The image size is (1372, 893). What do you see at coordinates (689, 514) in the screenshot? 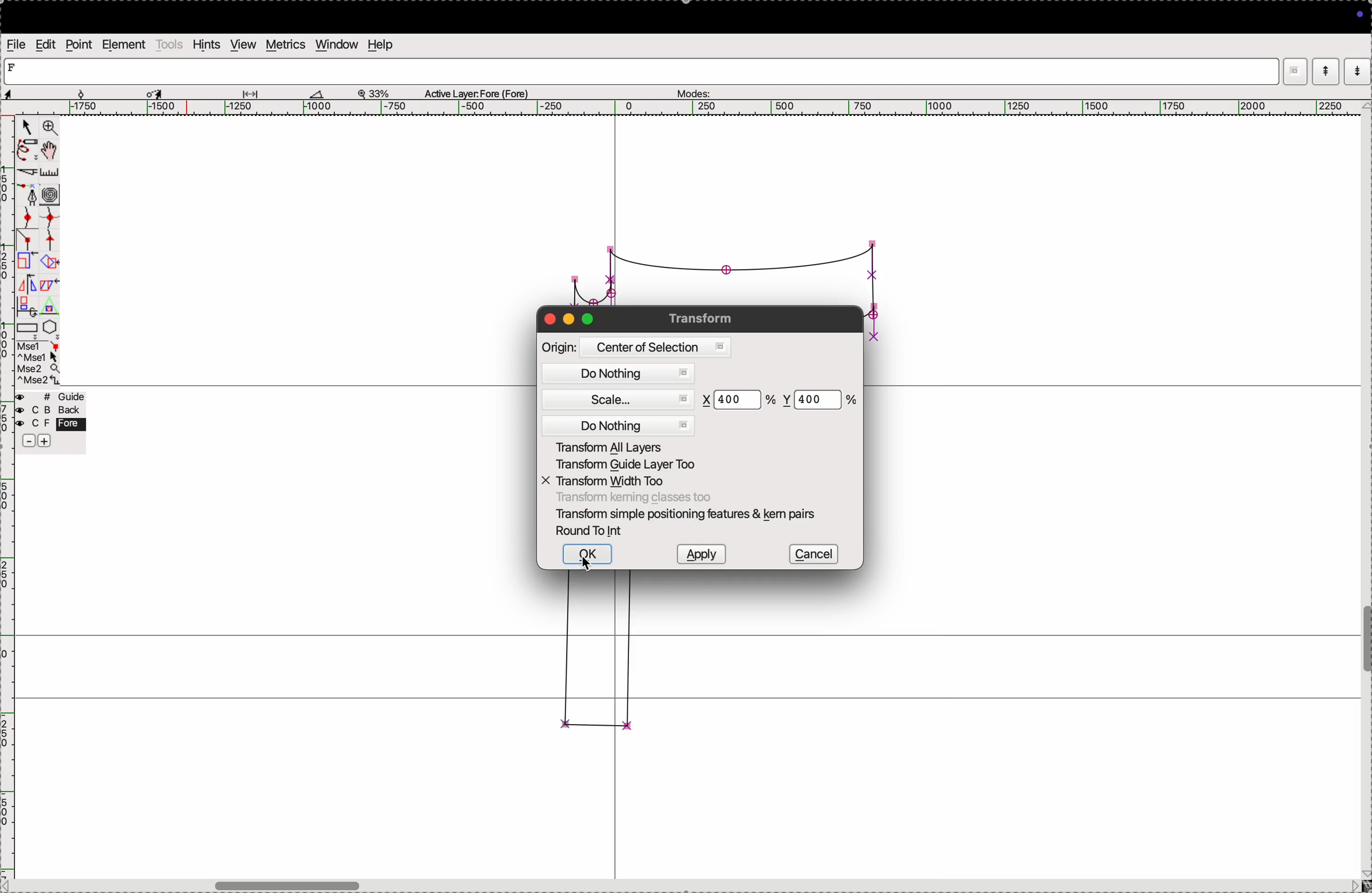
I see `transform smple postioning features ` at bounding box center [689, 514].